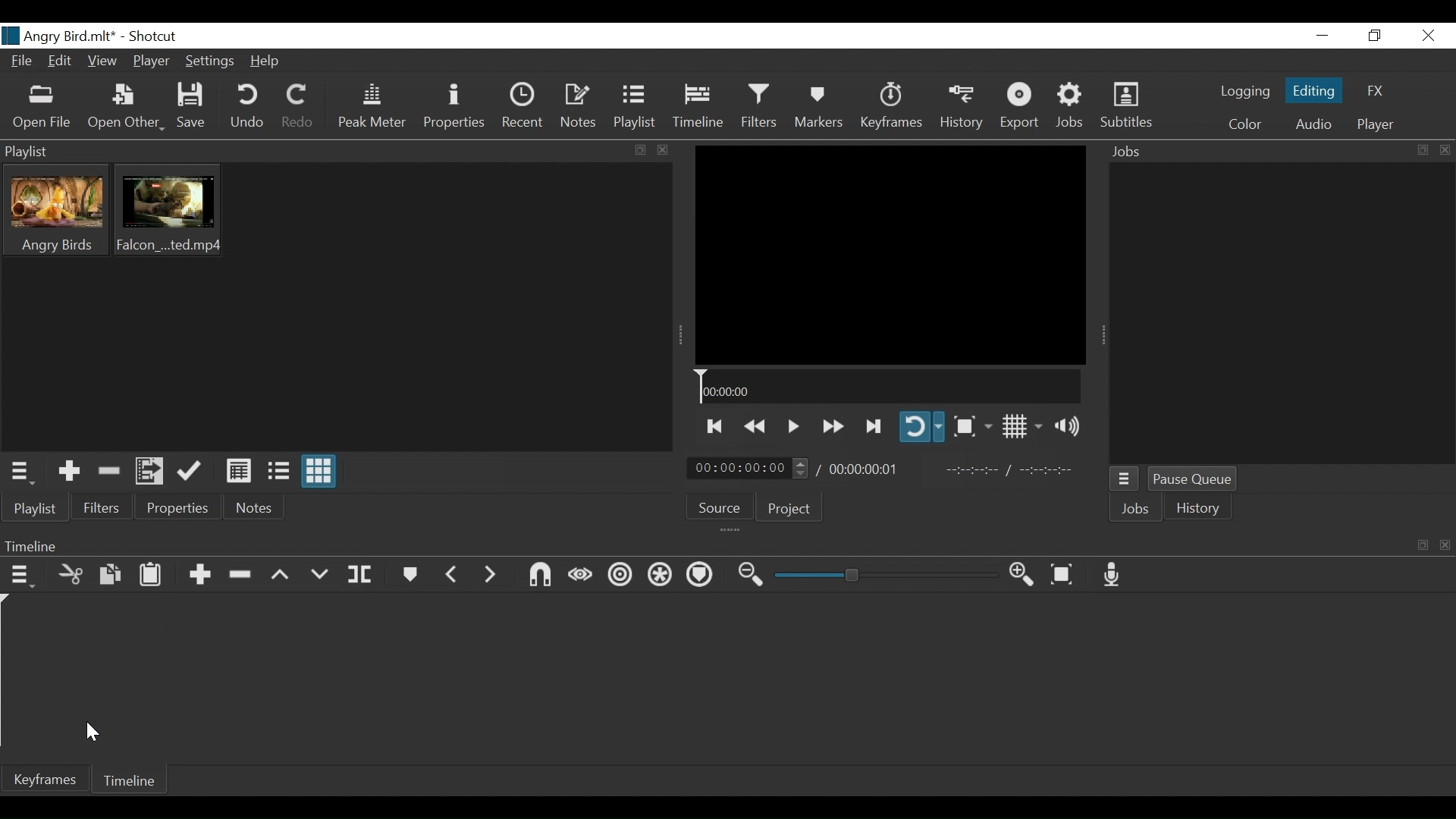  Describe the element at coordinates (181, 508) in the screenshot. I see `Properties` at that location.